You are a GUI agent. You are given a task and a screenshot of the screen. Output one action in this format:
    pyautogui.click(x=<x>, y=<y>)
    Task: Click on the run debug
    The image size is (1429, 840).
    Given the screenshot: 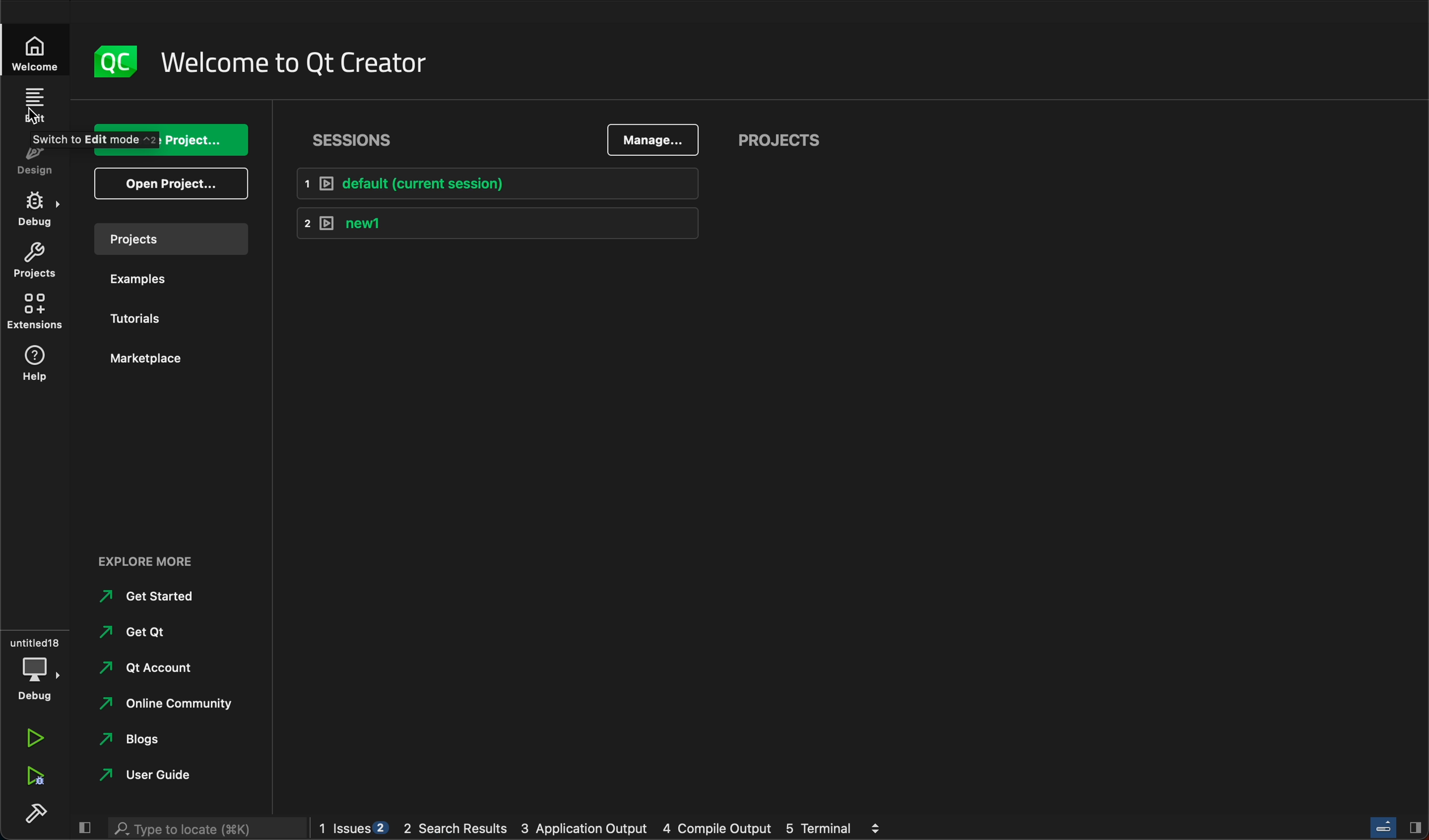 What is the action you would take?
    pyautogui.click(x=33, y=778)
    